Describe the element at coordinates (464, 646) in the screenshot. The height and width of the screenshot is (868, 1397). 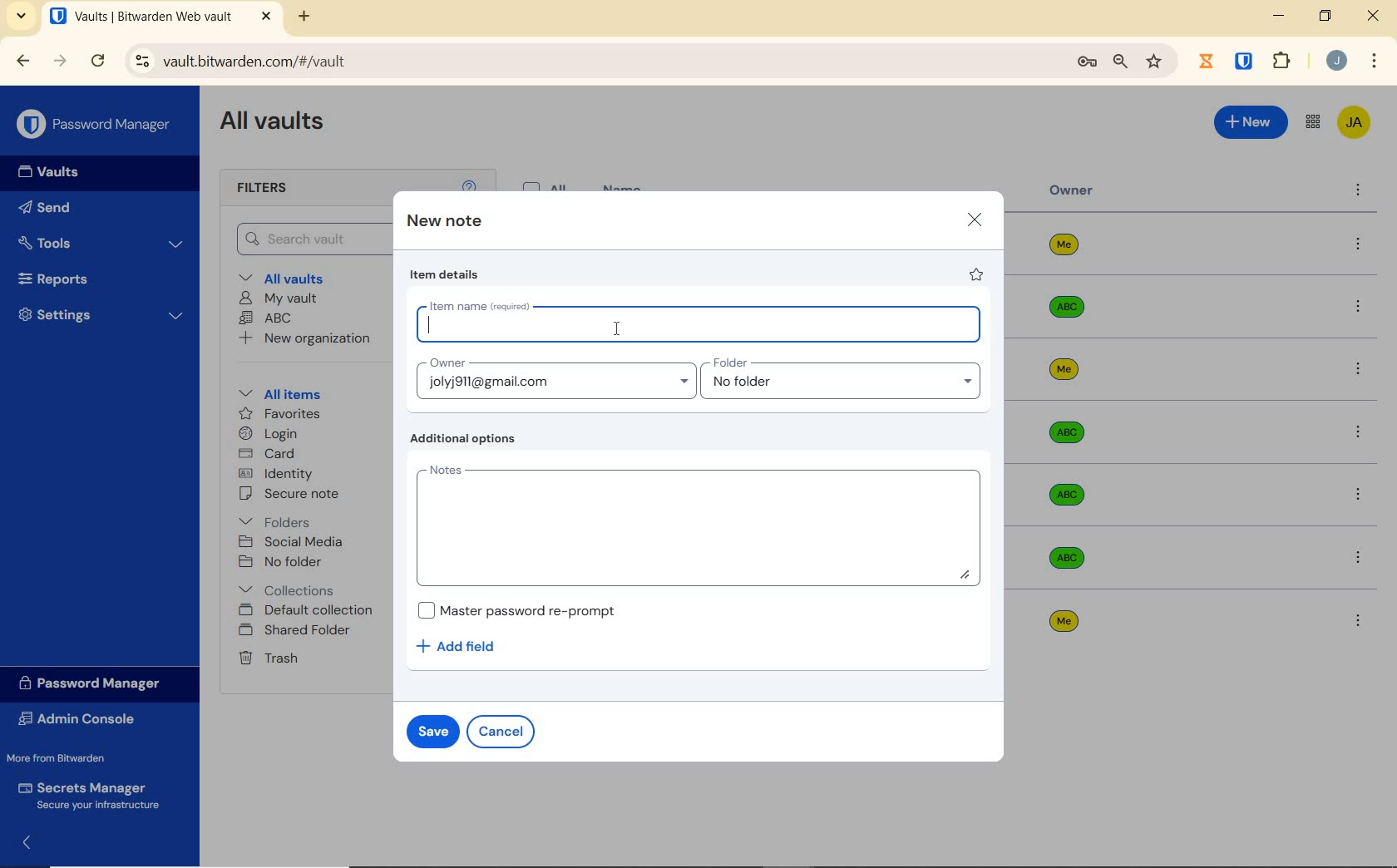
I see `Add field` at that location.